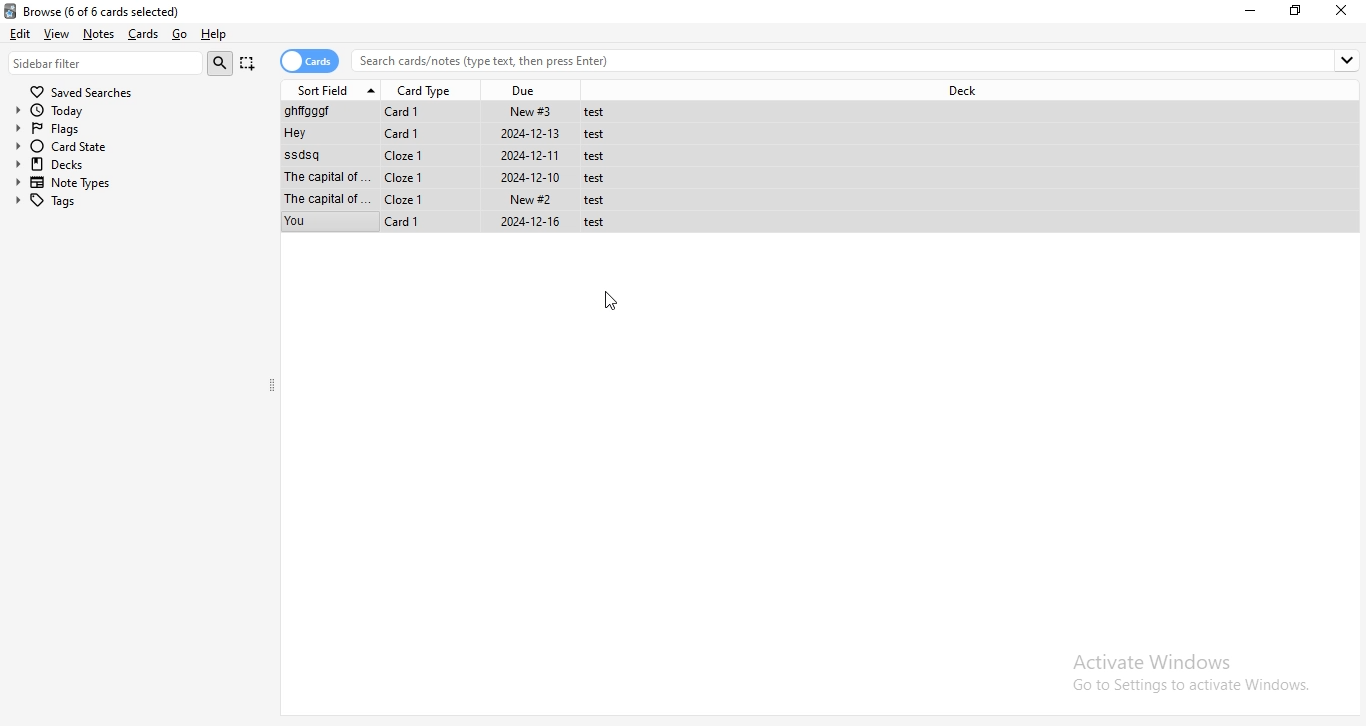 The height and width of the screenshot is (726, 1366). Describe the element at coordinates (81, 91) in the screenshot. I see `saved searches` at that location.